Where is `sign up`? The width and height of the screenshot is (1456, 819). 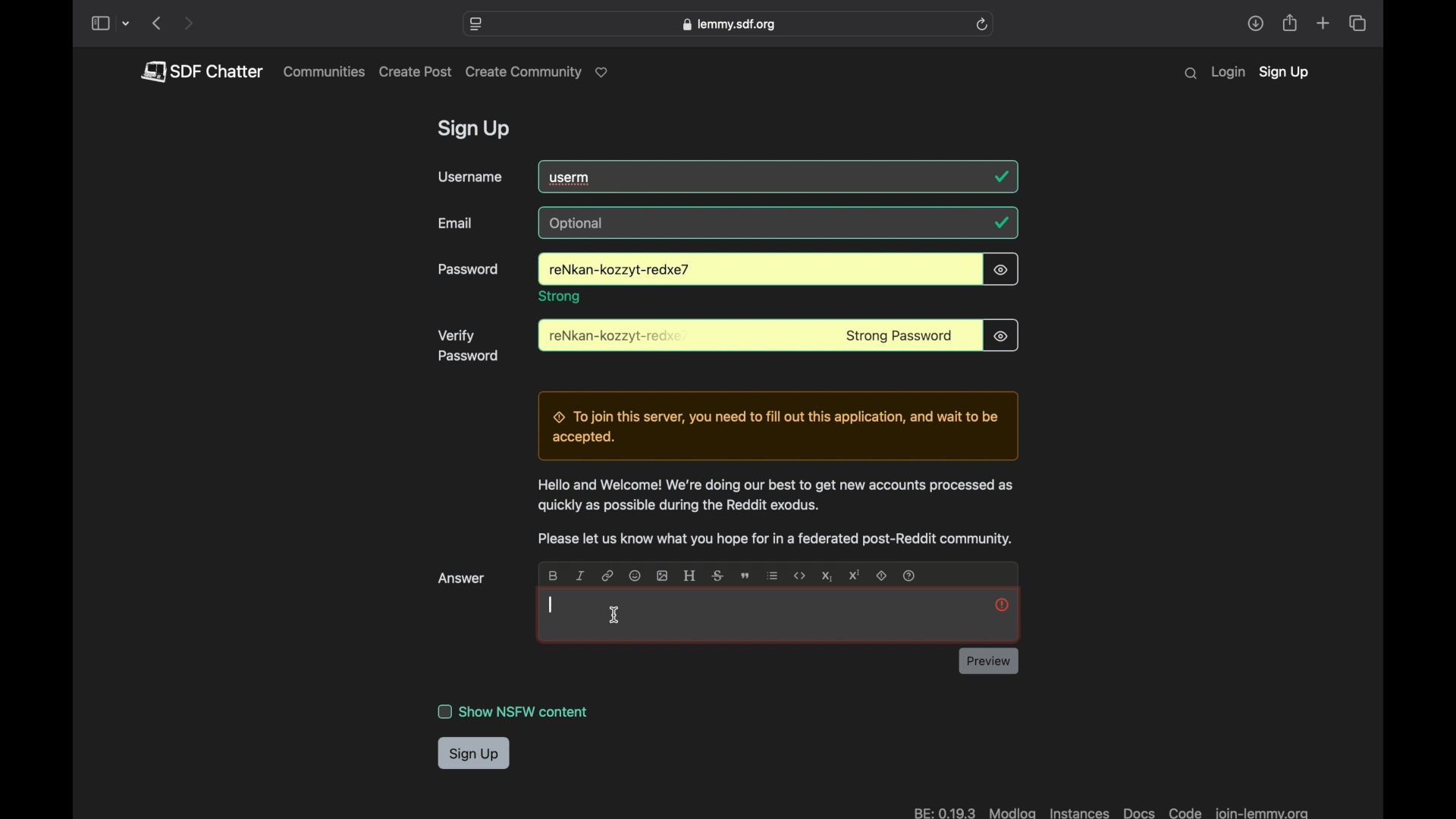 sign up is located at coordinates (1284, 74).